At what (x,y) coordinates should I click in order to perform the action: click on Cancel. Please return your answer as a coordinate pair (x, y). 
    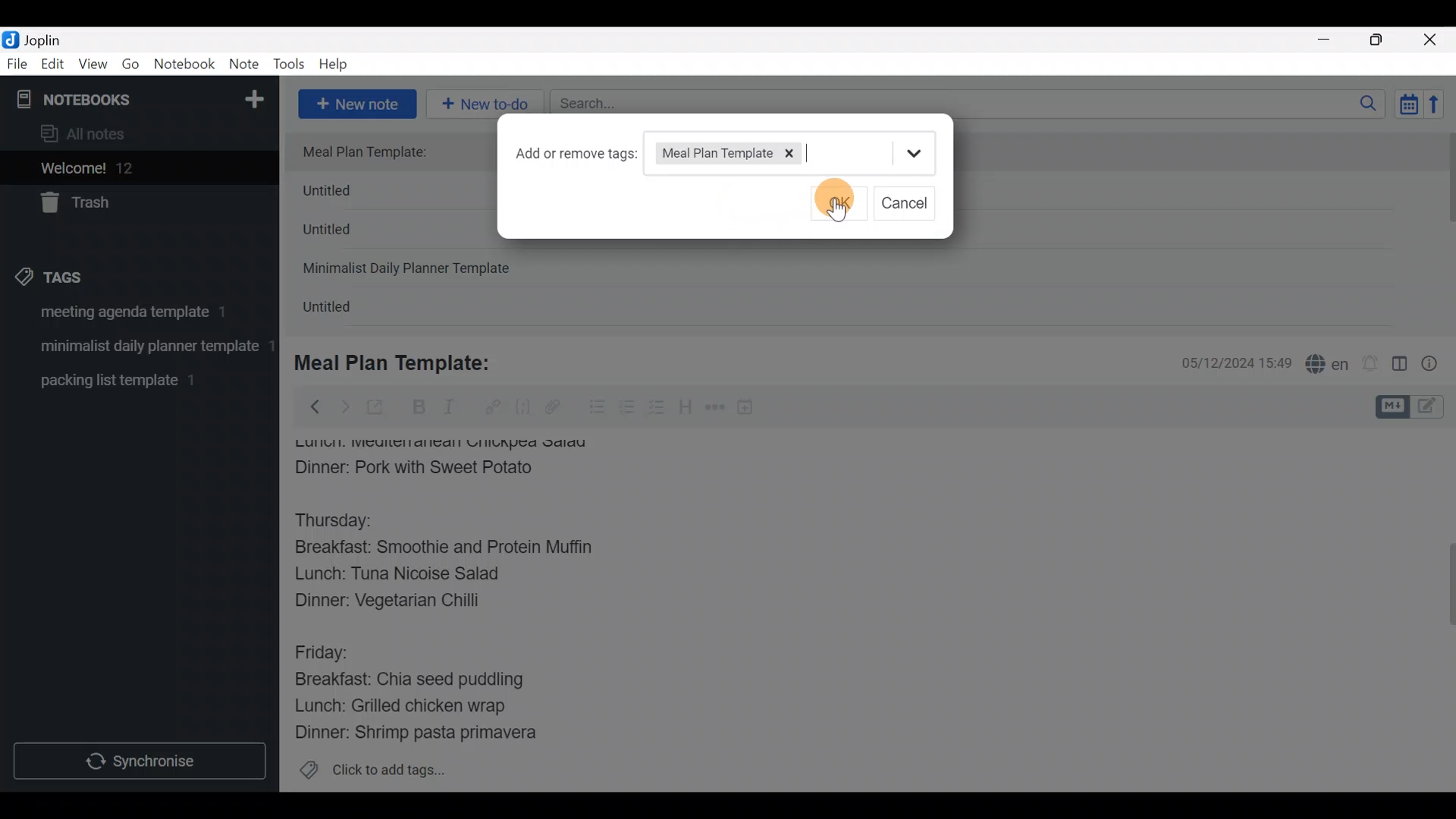
    Looking at the image, I should click on (908, 203).